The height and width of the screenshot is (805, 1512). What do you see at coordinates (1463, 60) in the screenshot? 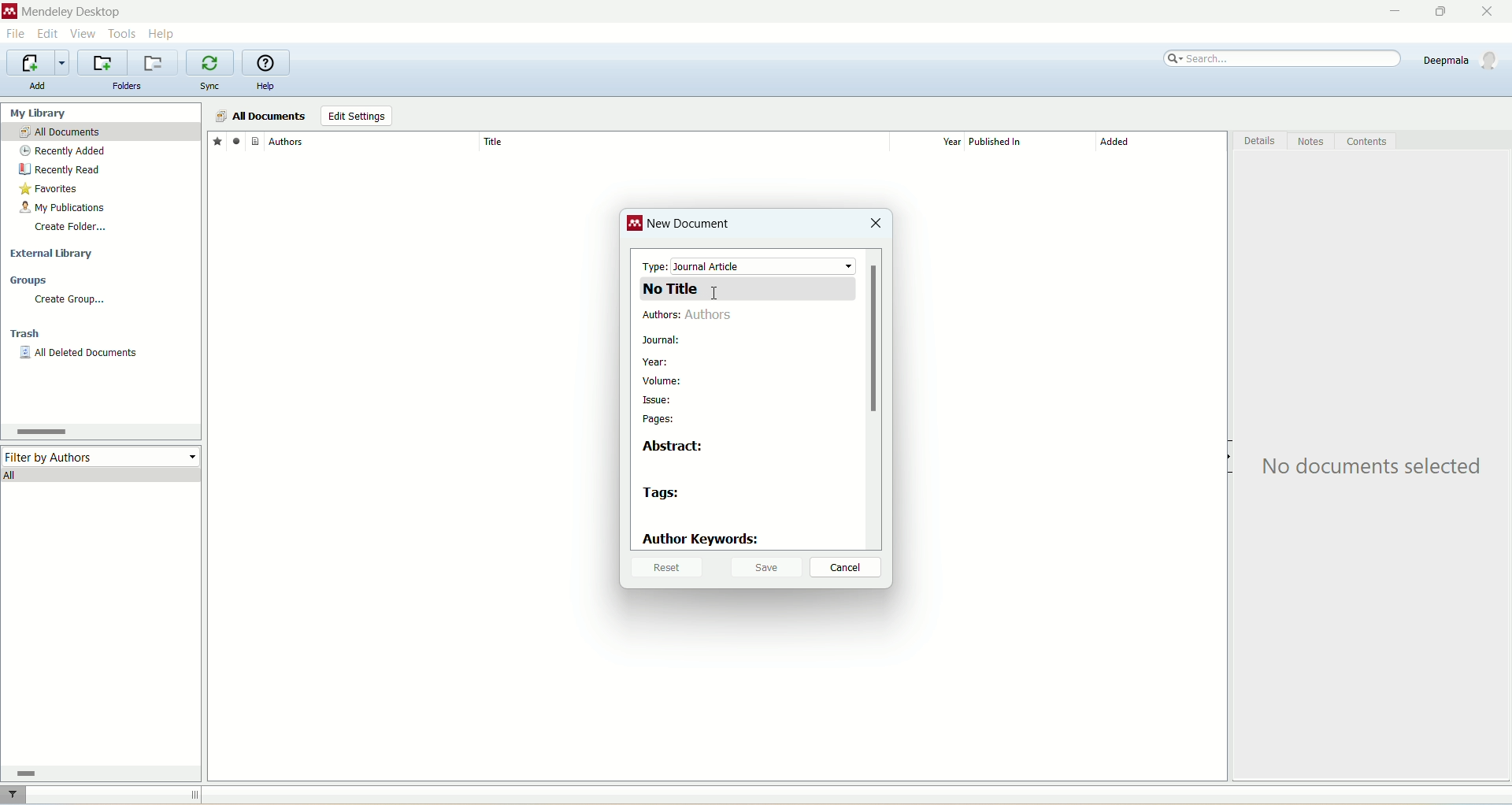
I see `account` at bounding box center [1463, 60].